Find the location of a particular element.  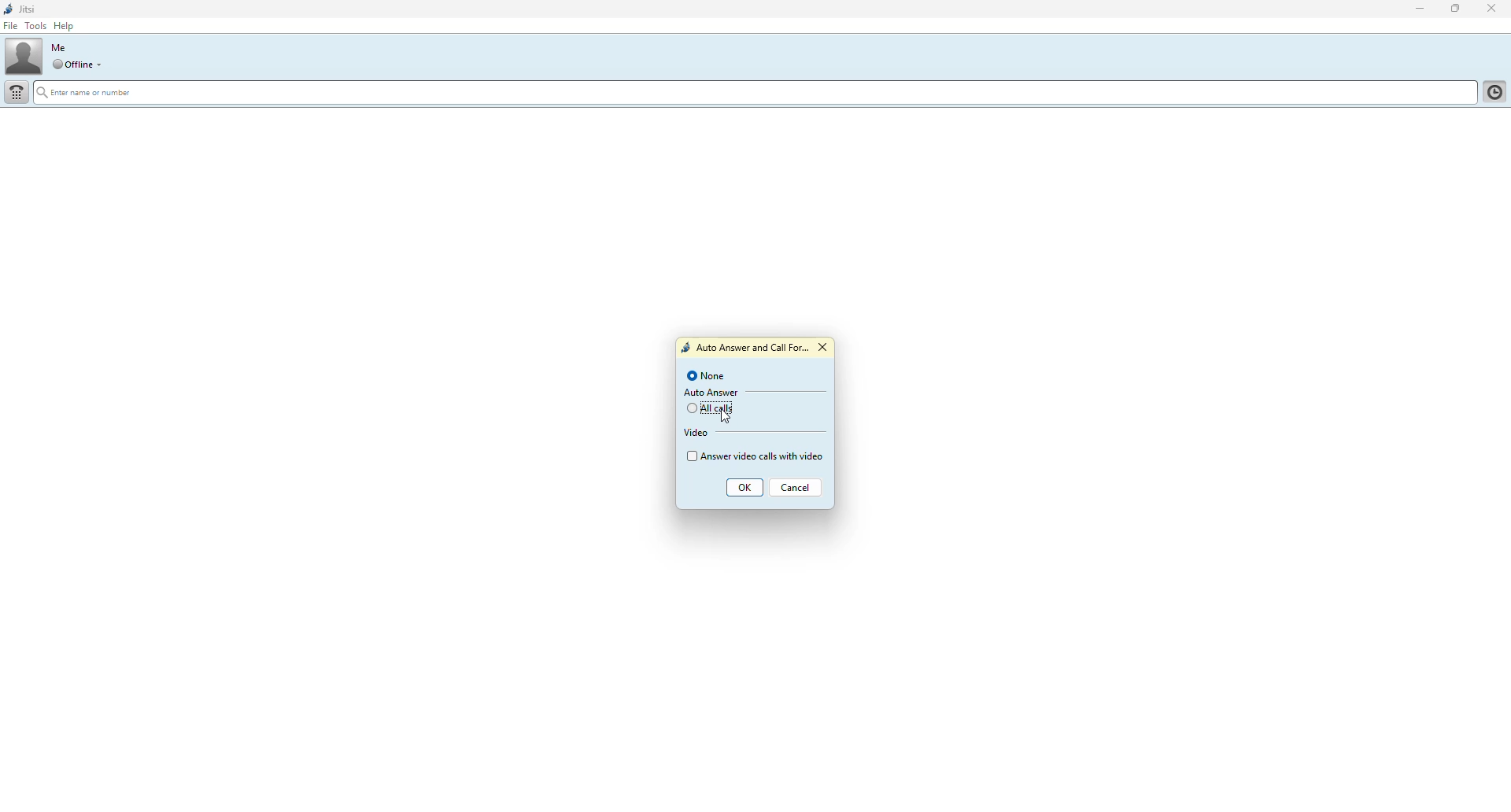

answer video calls with video is located at coordinates (754, 456).